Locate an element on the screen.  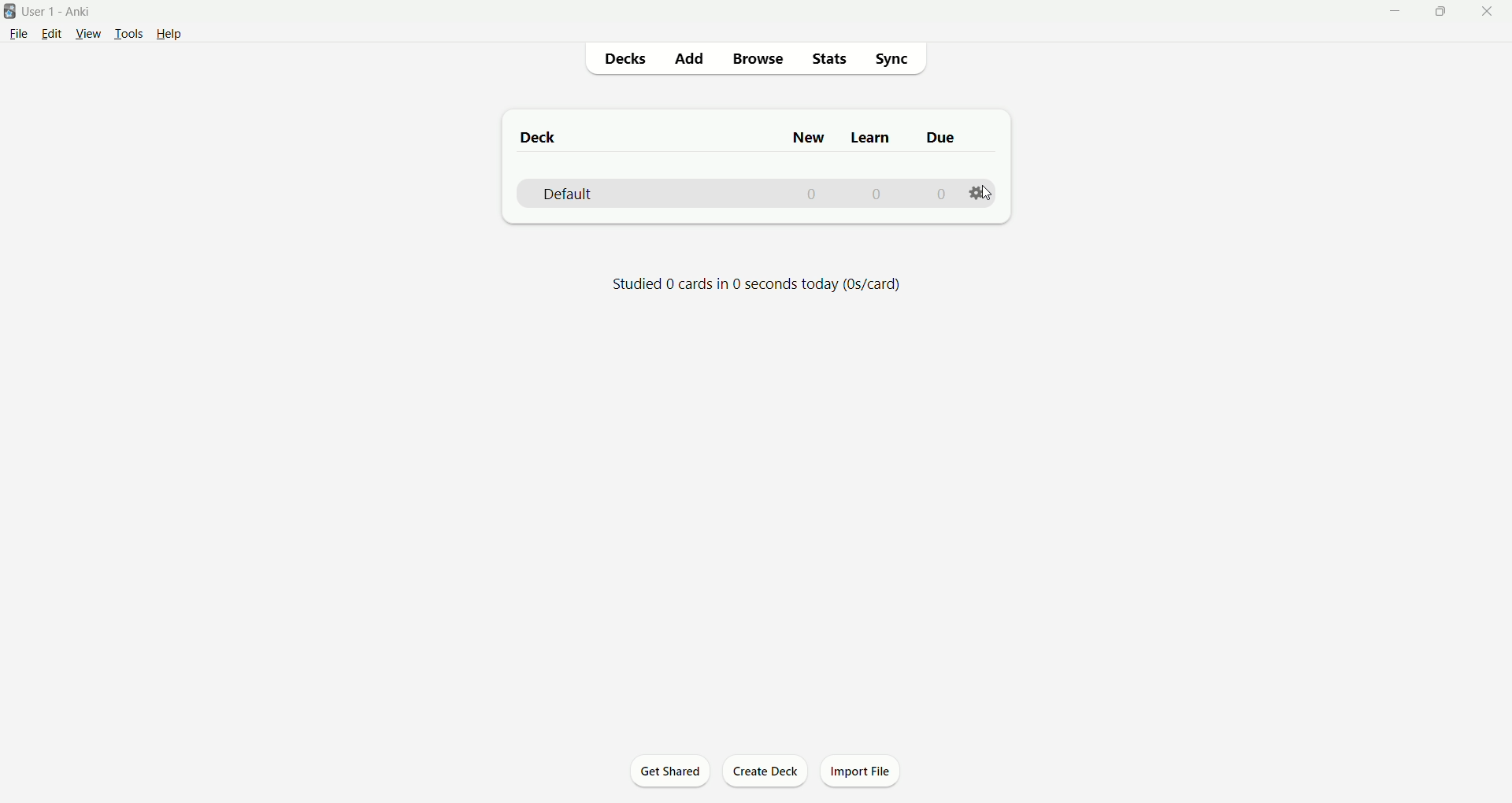
minimize is located at coordinates (1388, 13).